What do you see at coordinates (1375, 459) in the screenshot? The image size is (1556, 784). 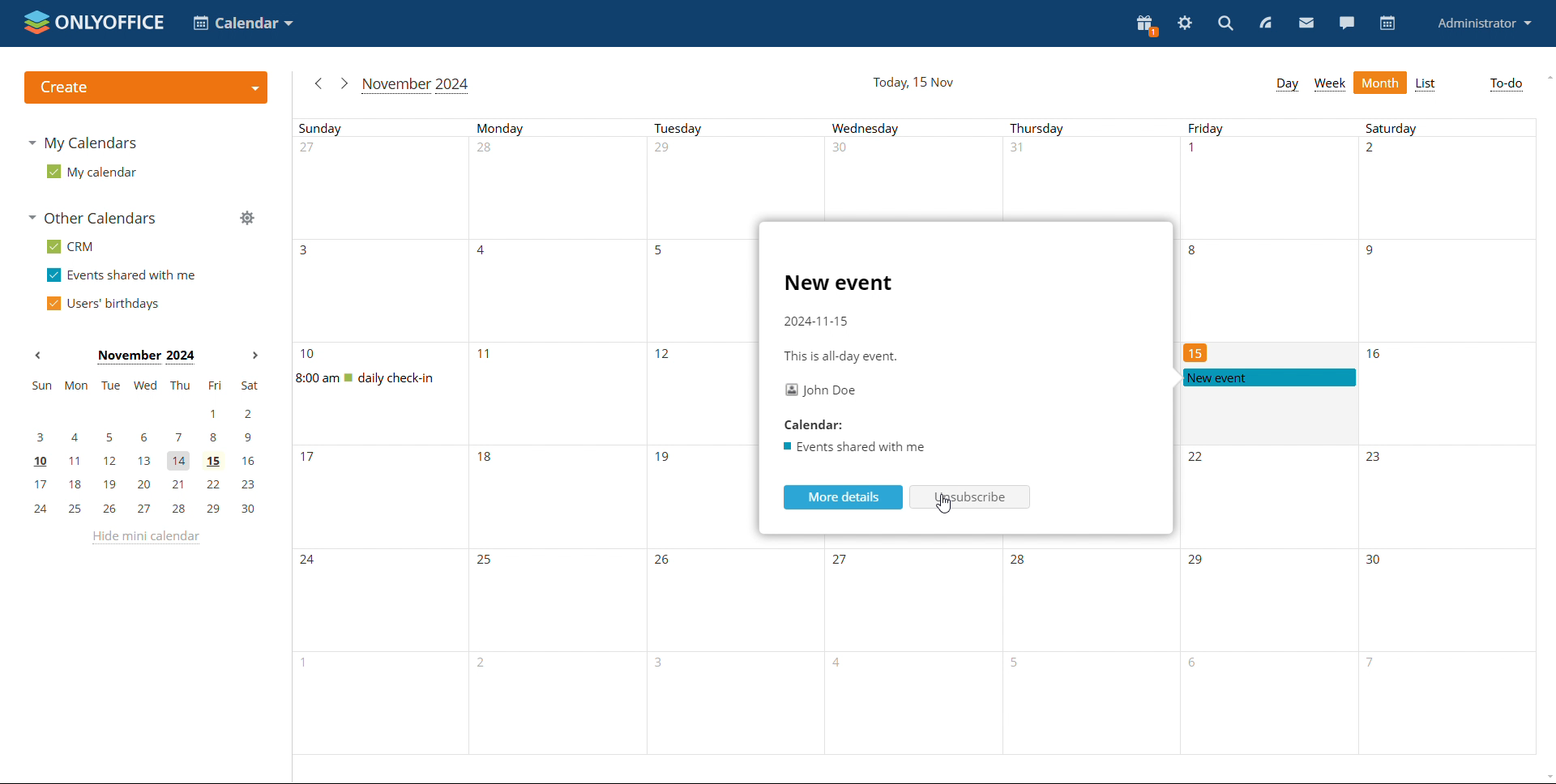 I see `` at bounding box center [1375, 459].